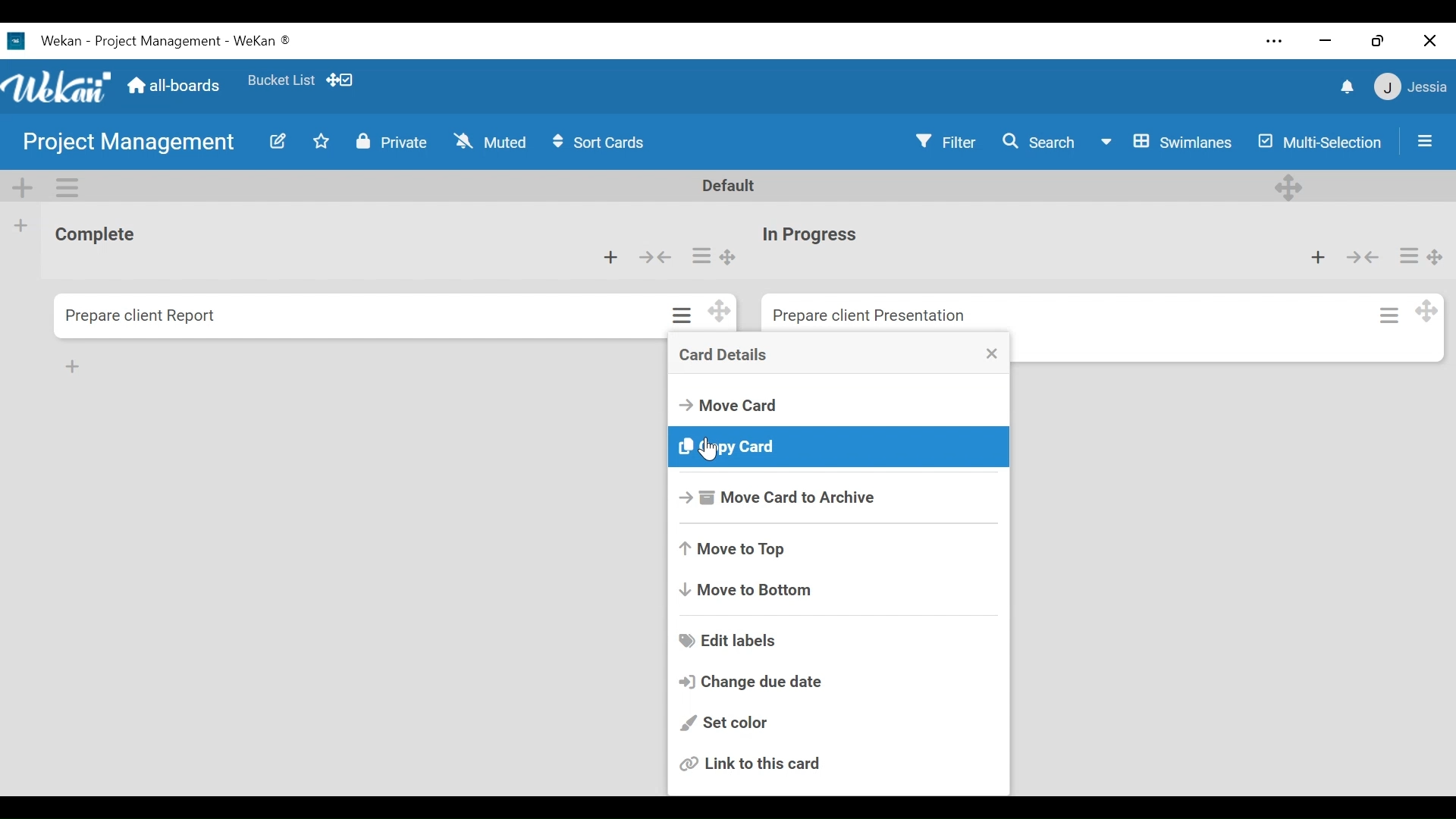 Image resolution: width=1456 pixels, height=819 pixels. Describe the element at coordinates (731, 640) in the screenshot. I see `Edit labels` at that location.